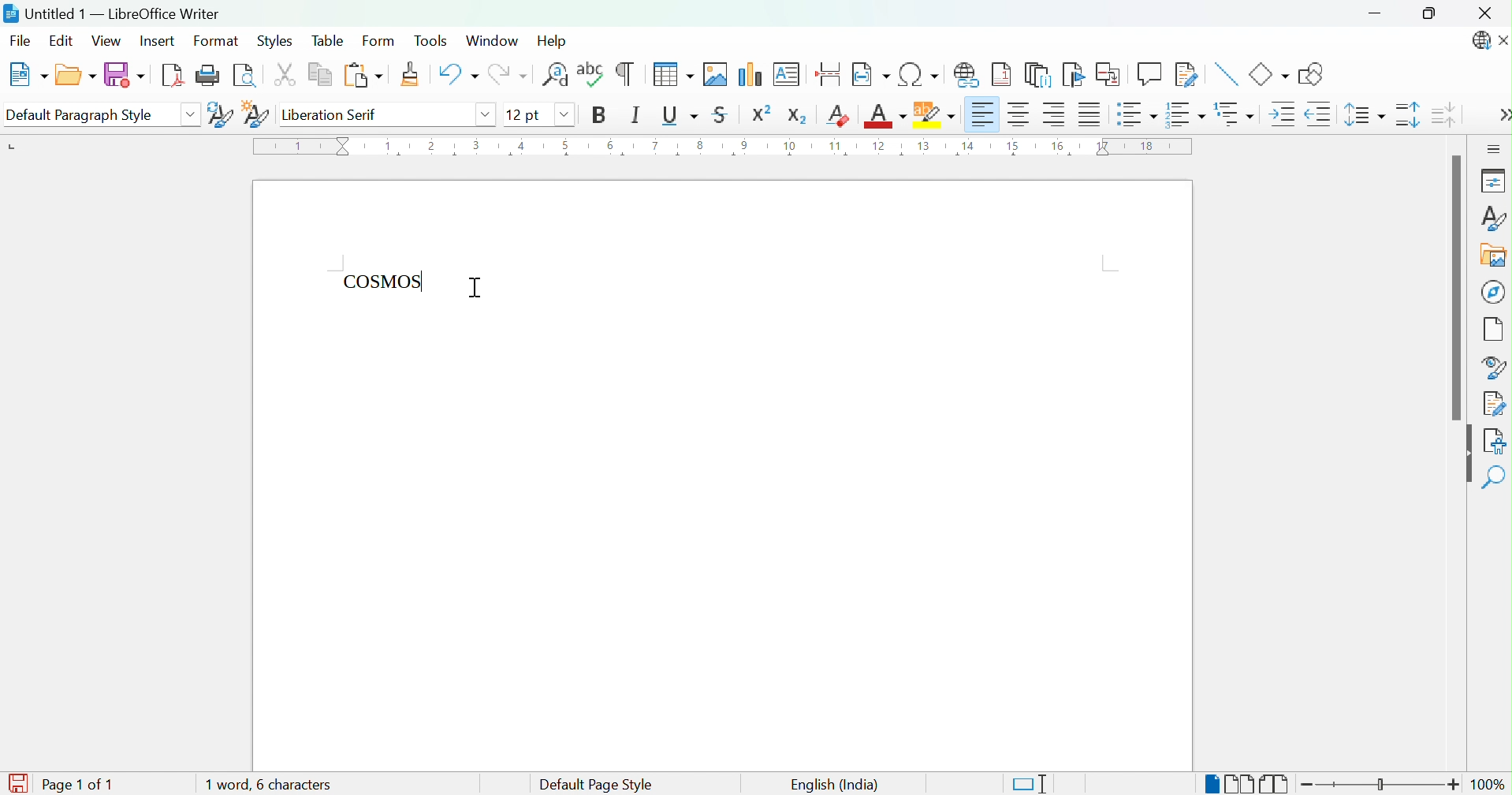 This screenshot has height=795, width=1512. Describe the element at coordinates (1454, 784) in the screenshot. I see `Zoom in` at that location.